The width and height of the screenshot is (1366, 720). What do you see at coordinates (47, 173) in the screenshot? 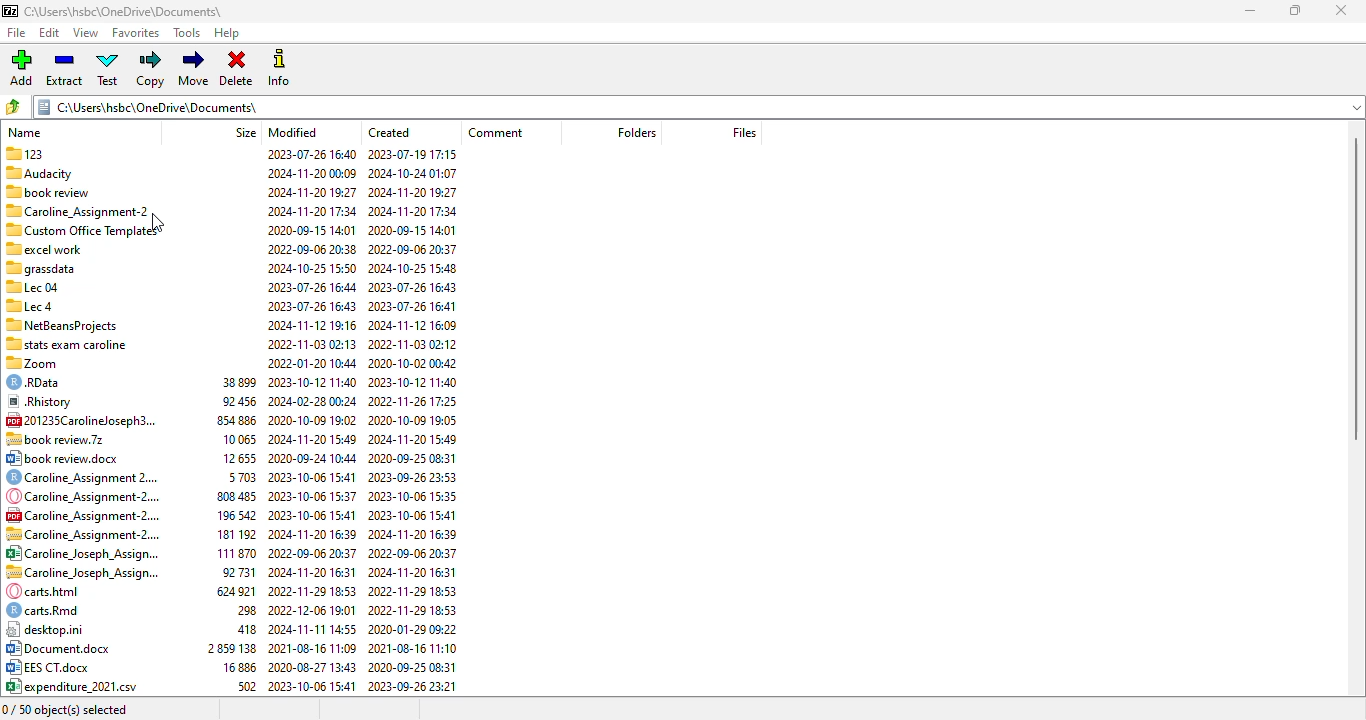
I see `~ Audacity` at bounding box center [47, 173].